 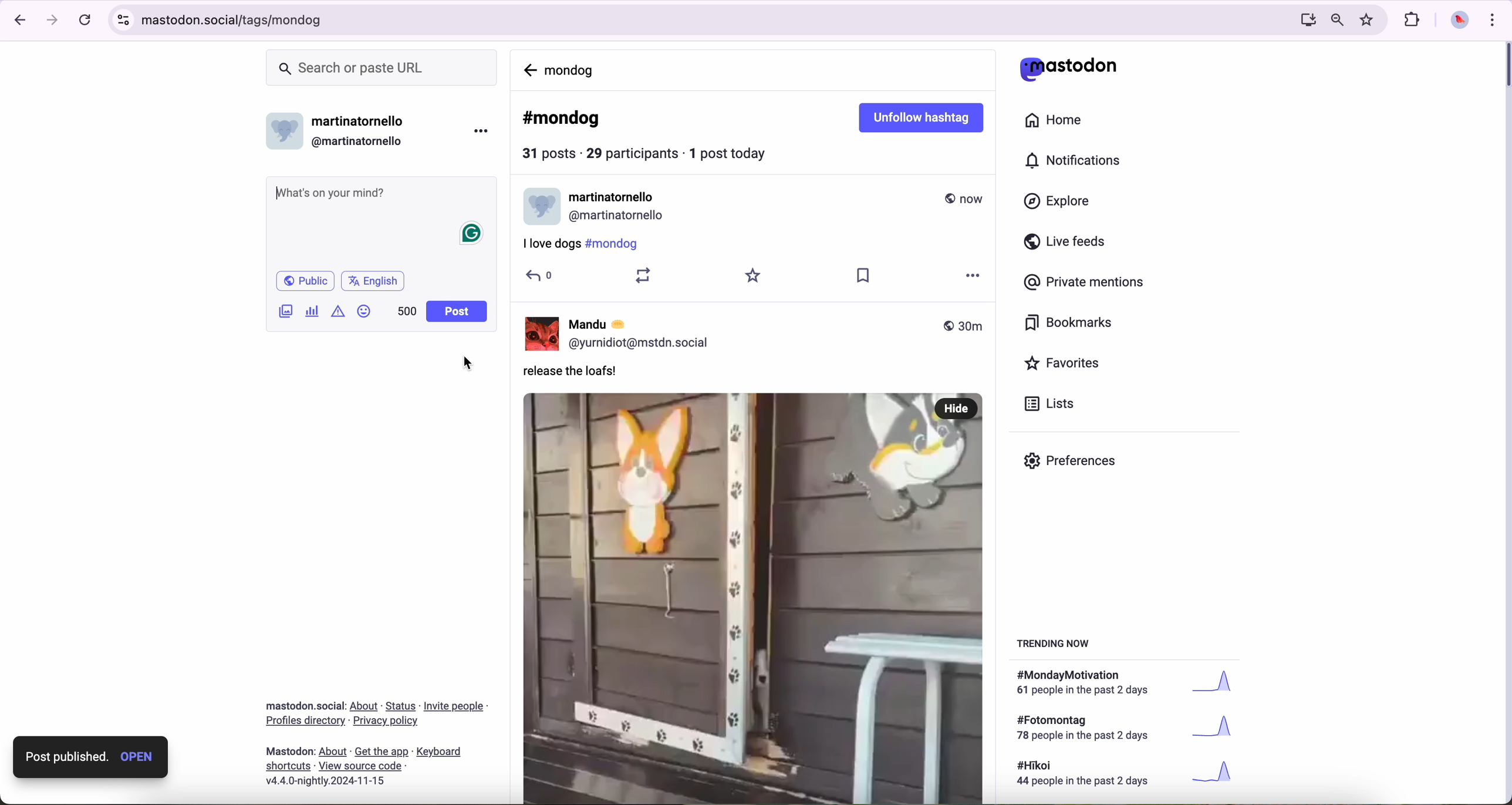 What do you see at coordinates (374, 282) in the screenshot?
I see `English` at bounding box center [374, 282].